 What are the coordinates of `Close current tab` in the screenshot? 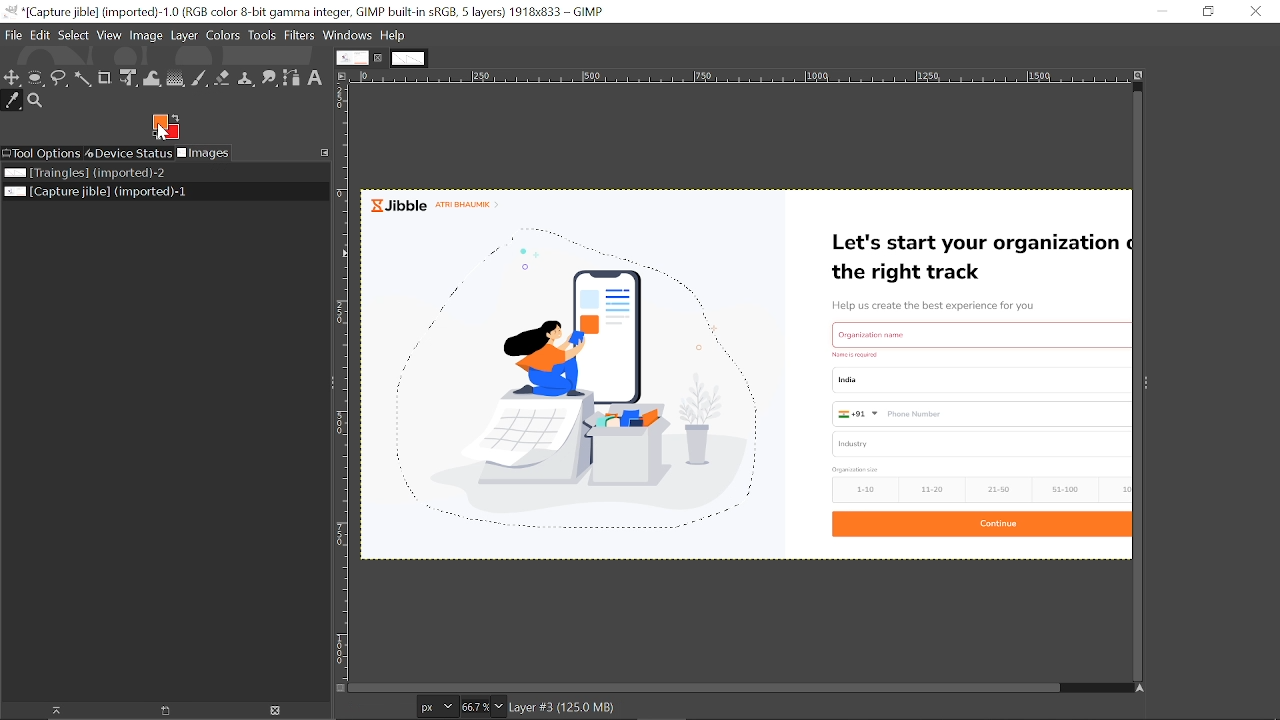 It's located at (379, 58).